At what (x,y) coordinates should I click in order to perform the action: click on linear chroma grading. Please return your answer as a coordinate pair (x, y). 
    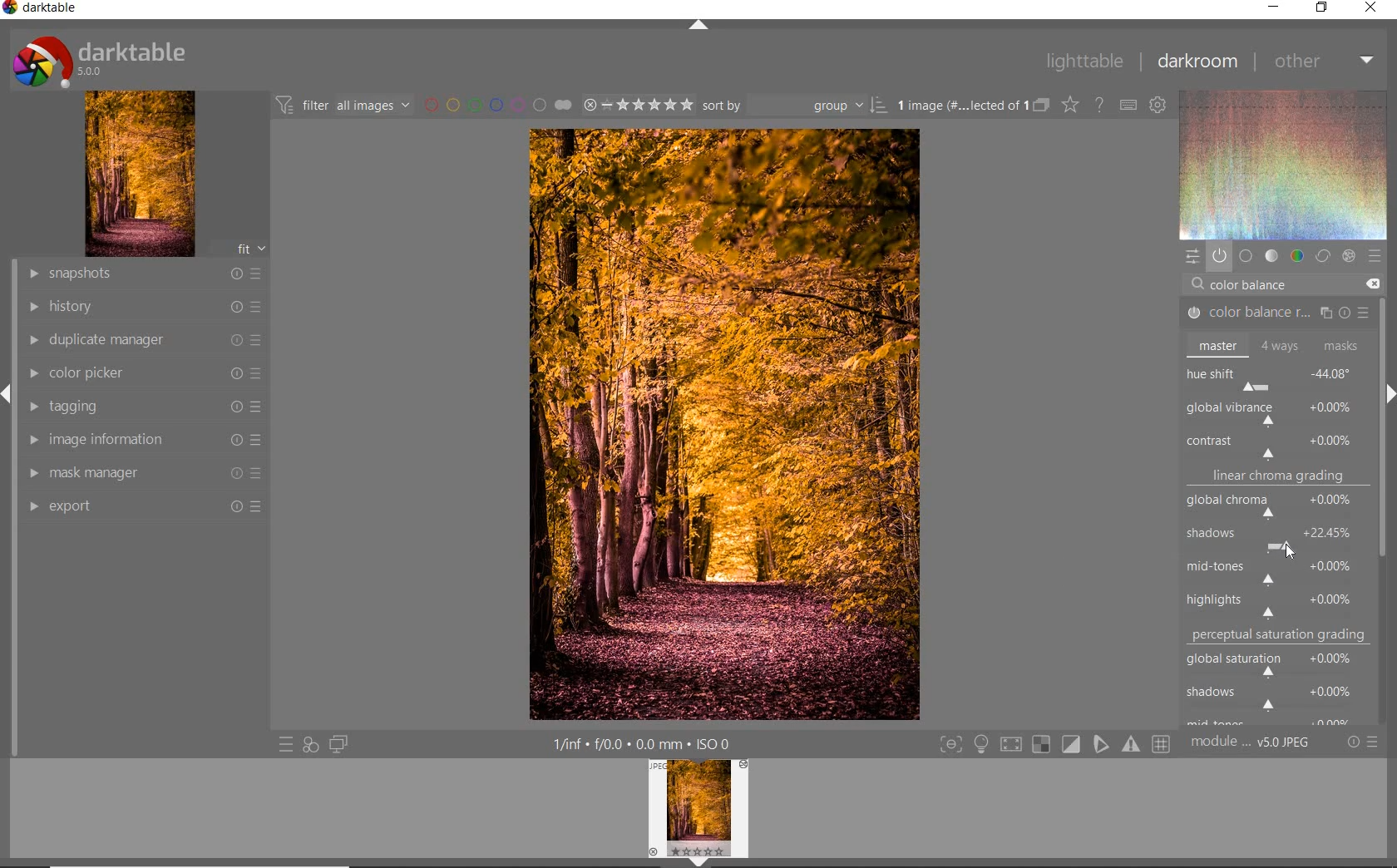
    Looking at the image, I should click on (1277, 479).